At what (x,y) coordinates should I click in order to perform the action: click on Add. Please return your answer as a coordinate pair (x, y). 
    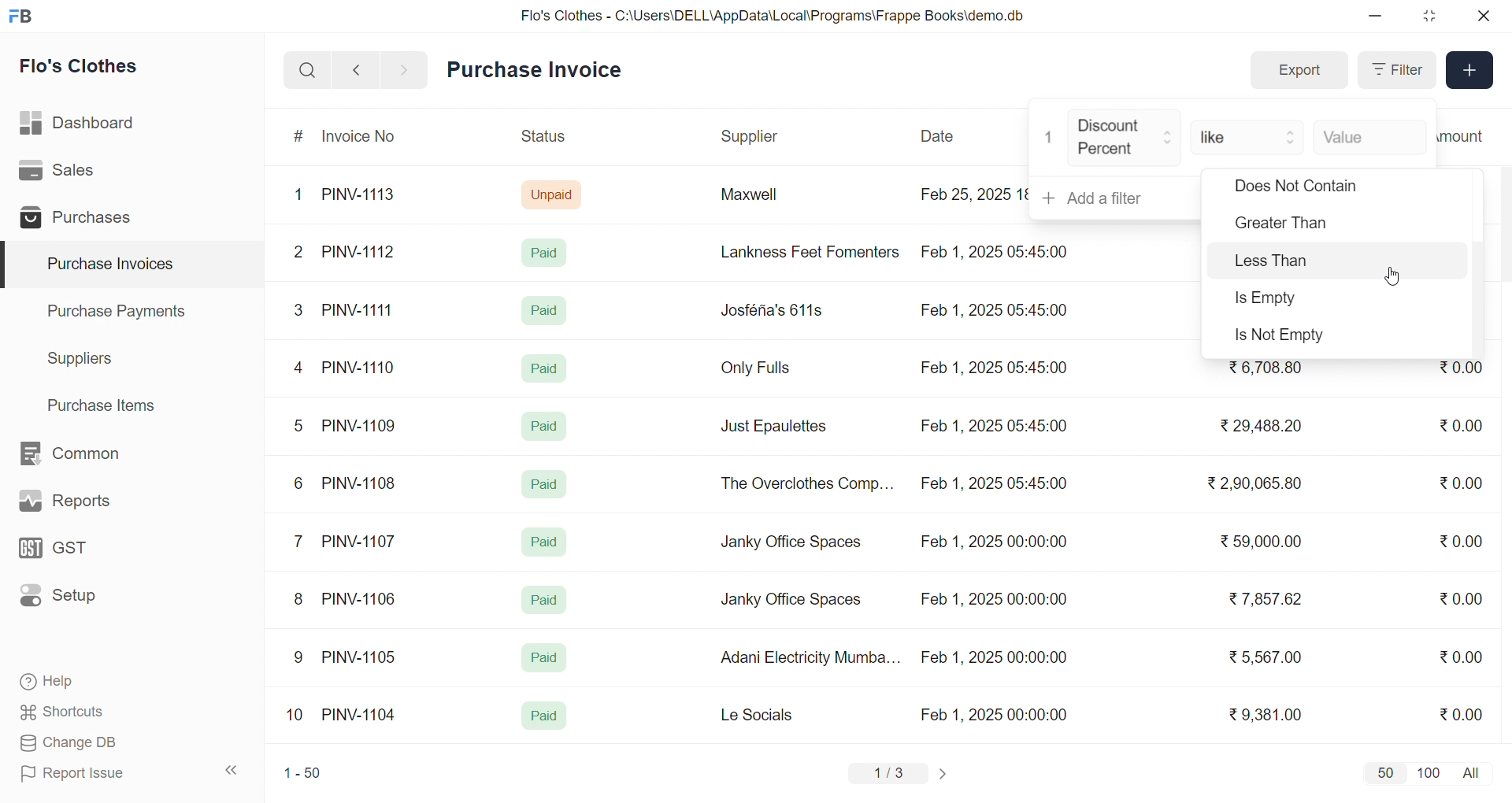
    Looking at the image, I should click on (1470, 71).